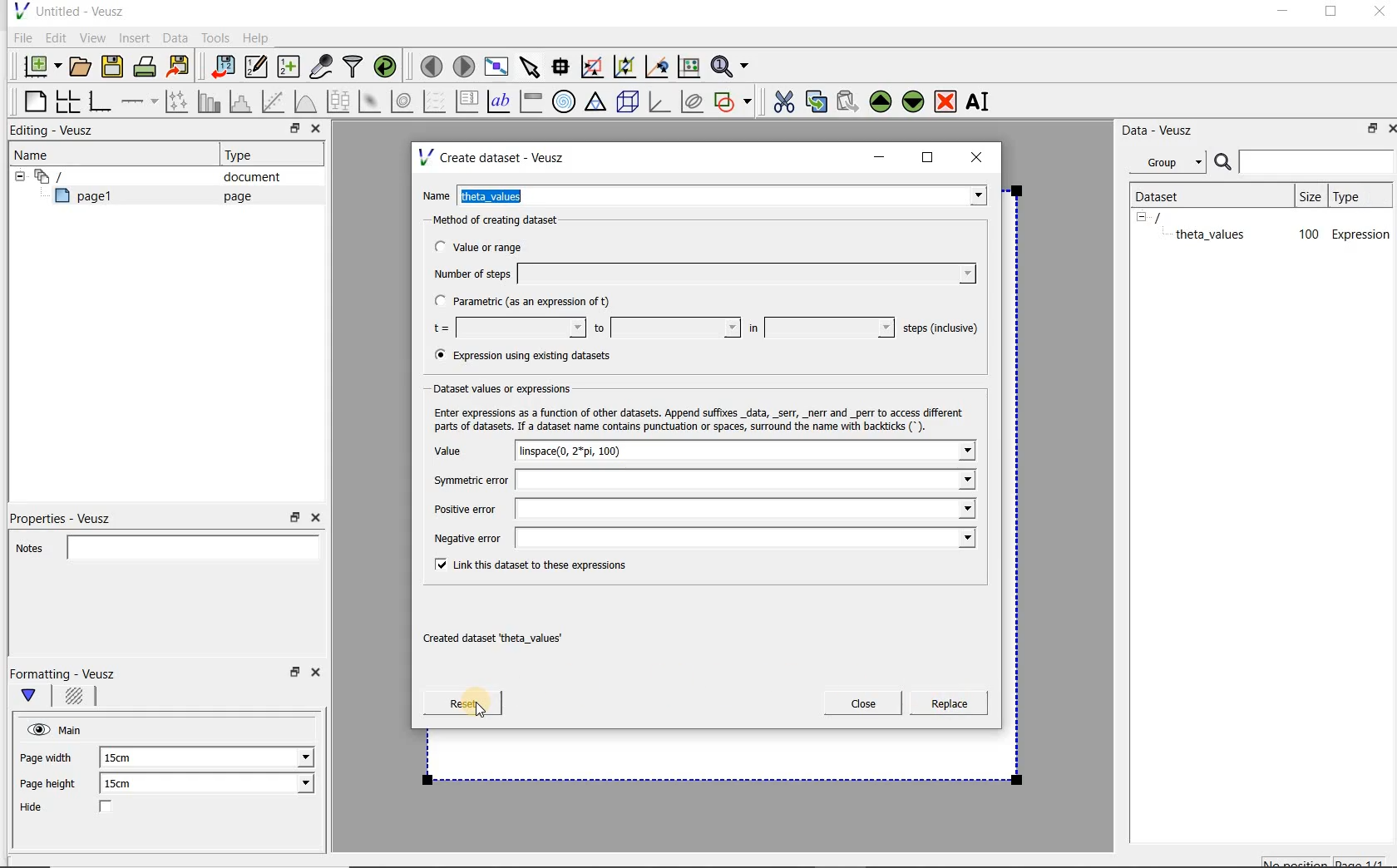 The image size is (1397, 868). What do you see at coordinates (1297, 861) in the screenshot?
I see `No position` at bounding box center [1297, 861].